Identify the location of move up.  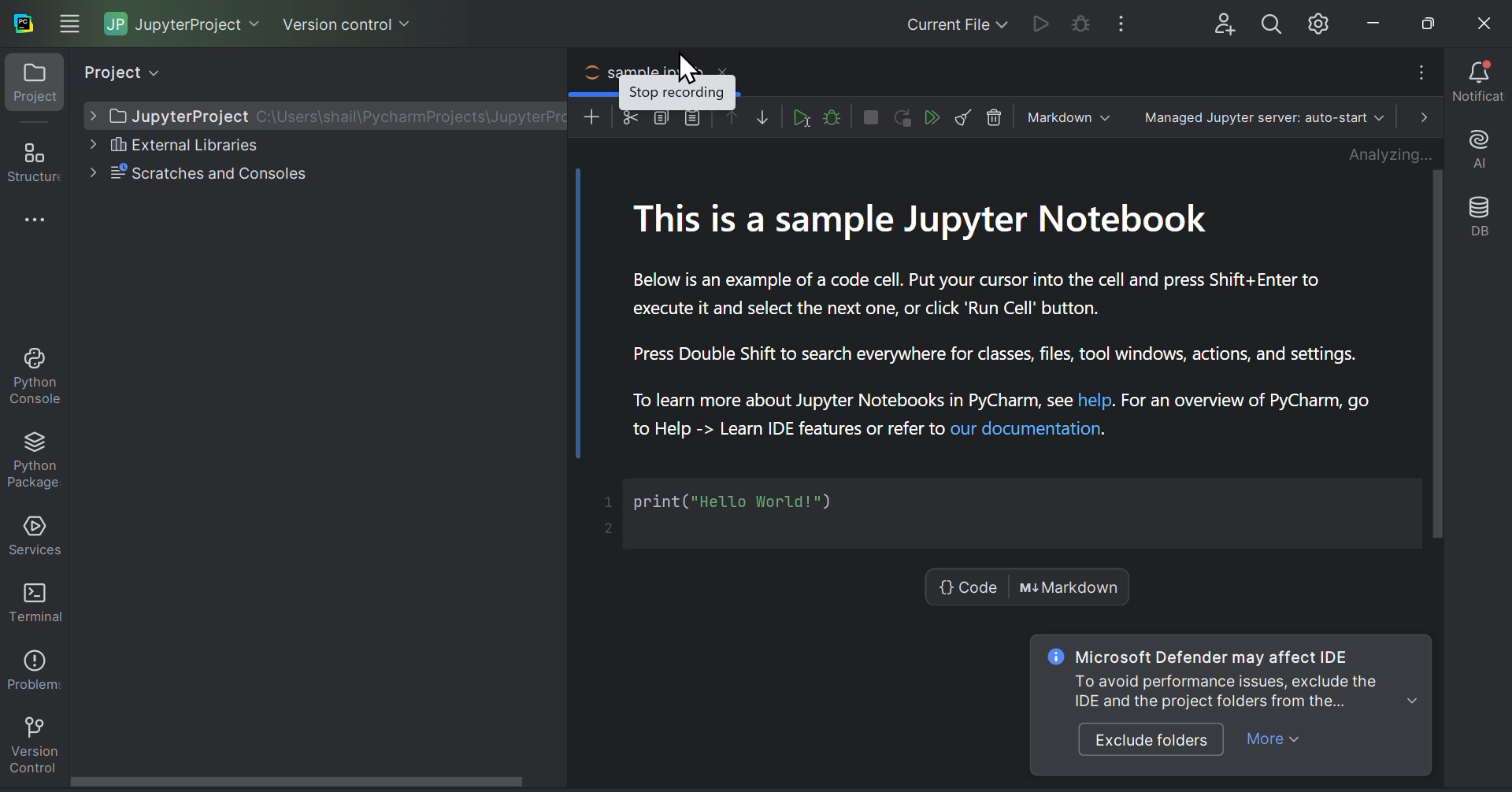
(733, 119).